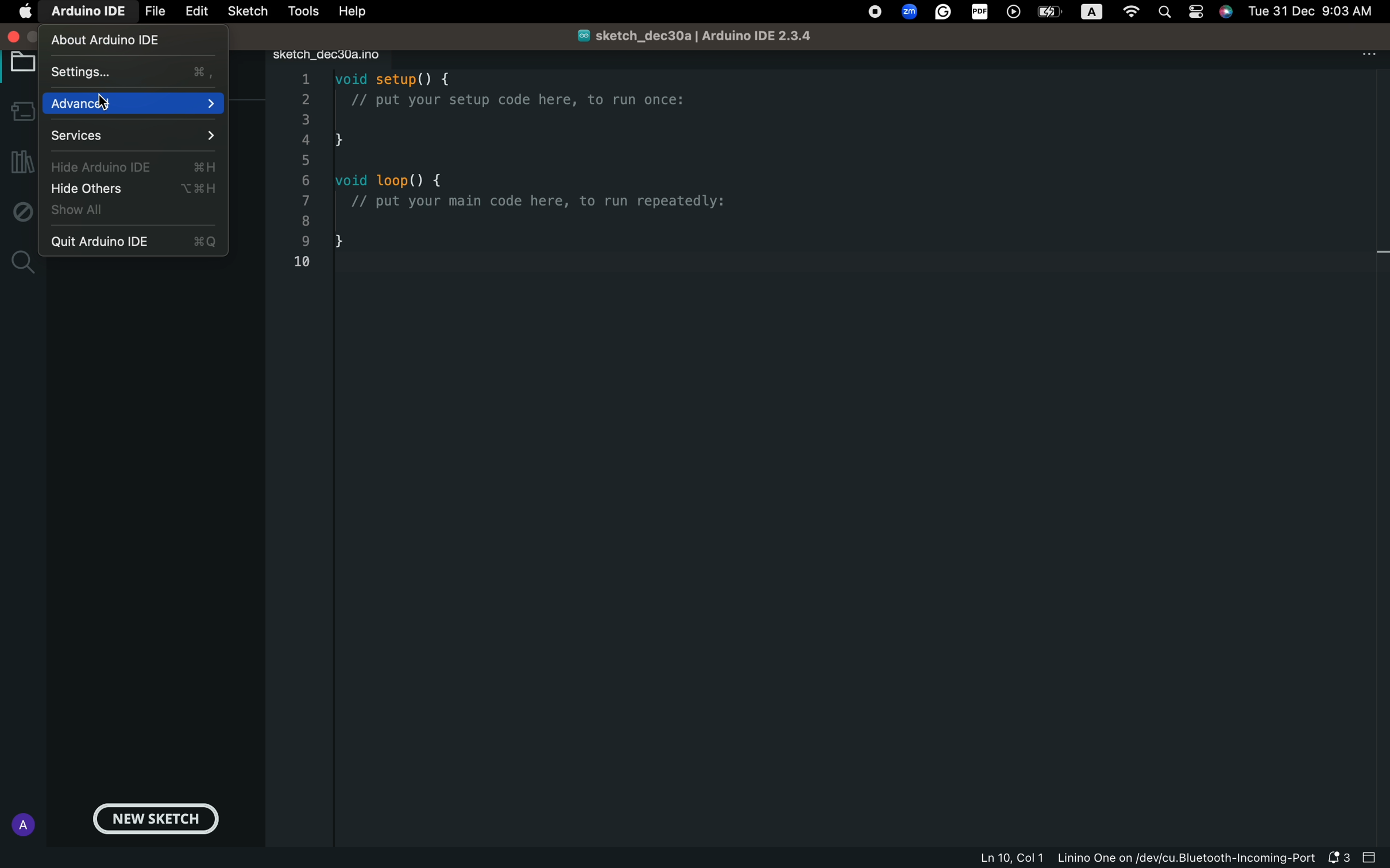 The width and height of the screenshot is (1390, 868). What do you see at coordinates (17, 37) in the screenshot?
I see `windows control` at bounding box center [17, 37].